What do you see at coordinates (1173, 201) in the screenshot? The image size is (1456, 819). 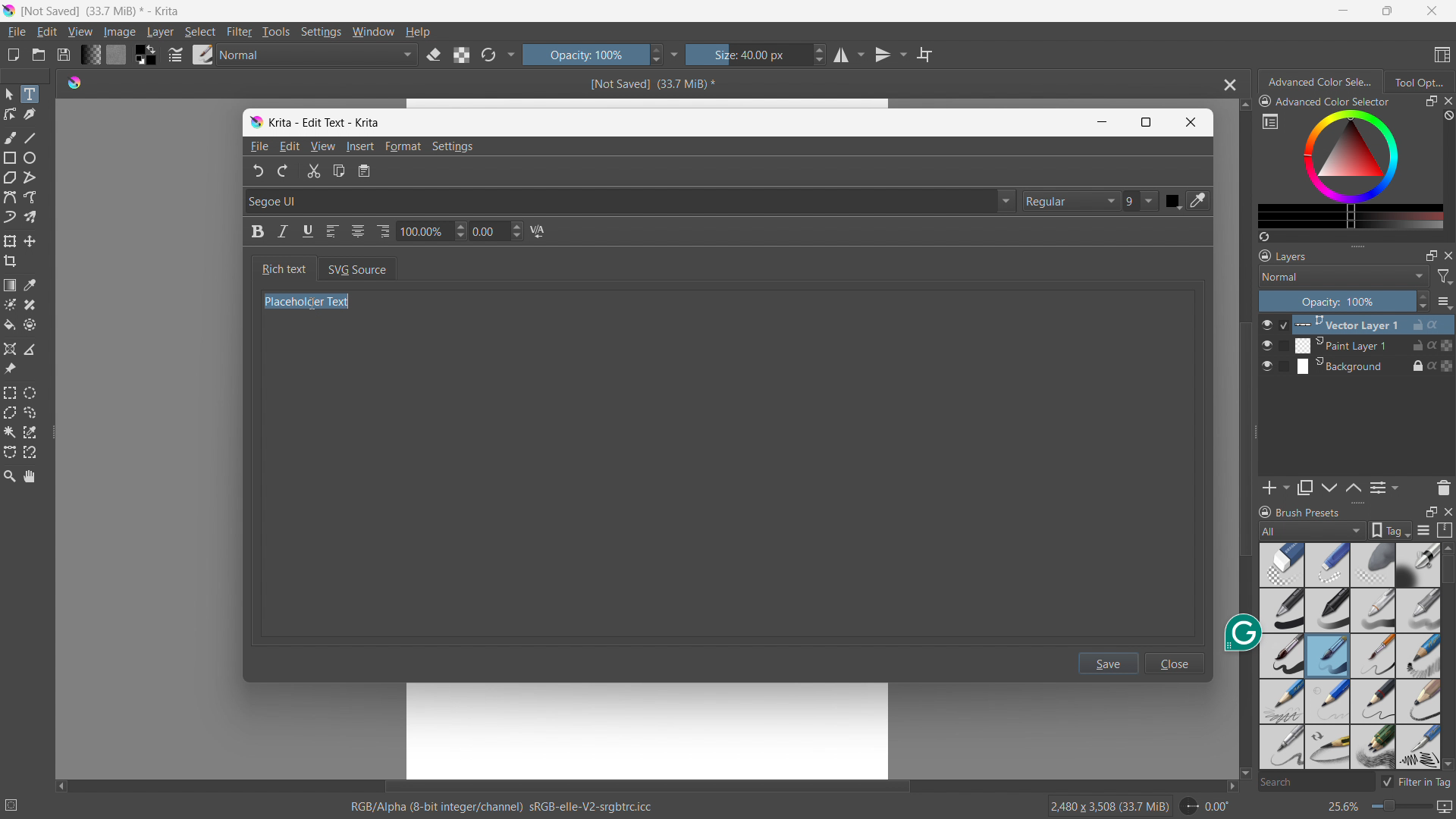 I see `Color` at bounding box center [1173, 201].